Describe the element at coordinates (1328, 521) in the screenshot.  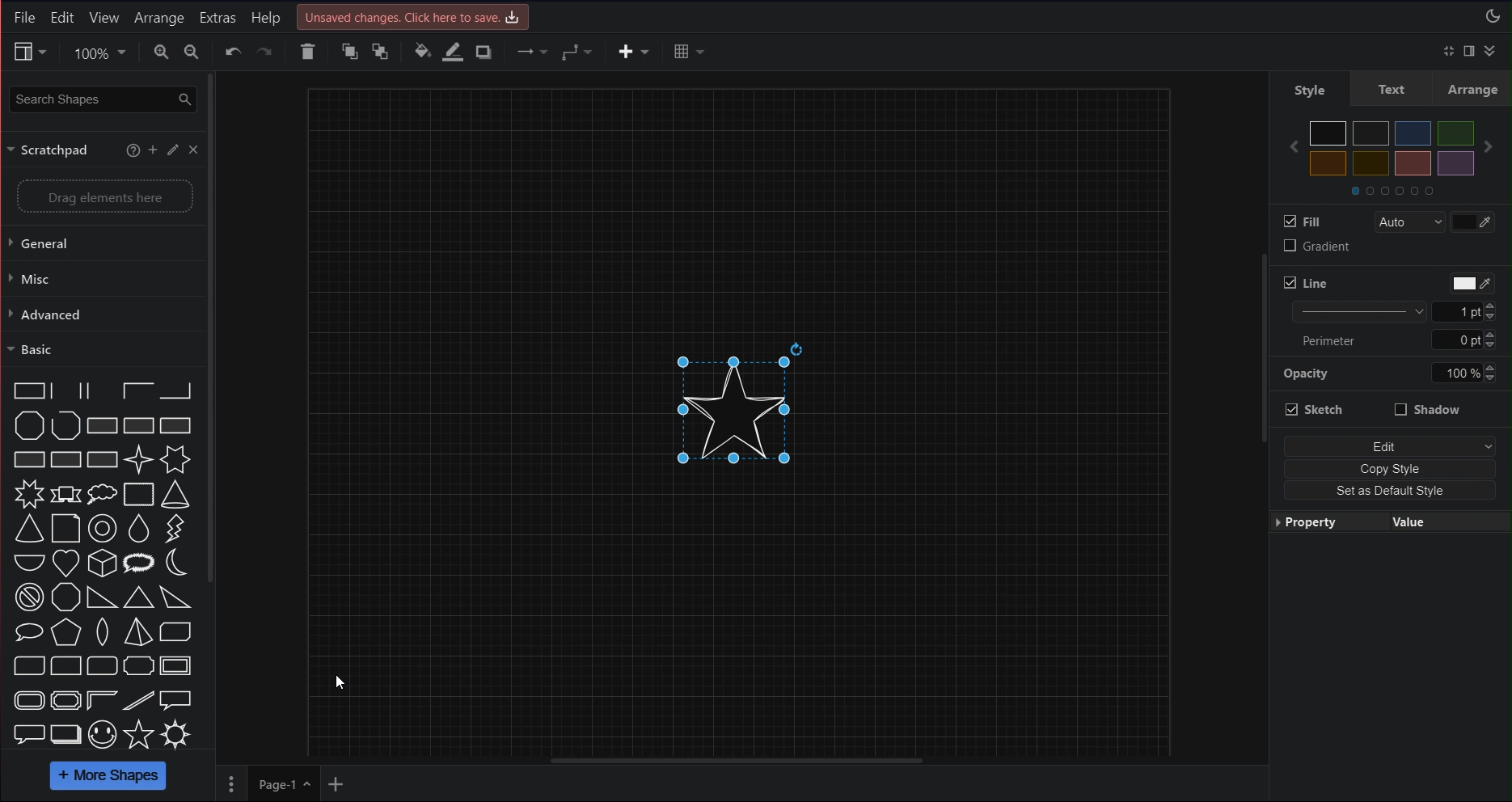
I see `Property` at that location.